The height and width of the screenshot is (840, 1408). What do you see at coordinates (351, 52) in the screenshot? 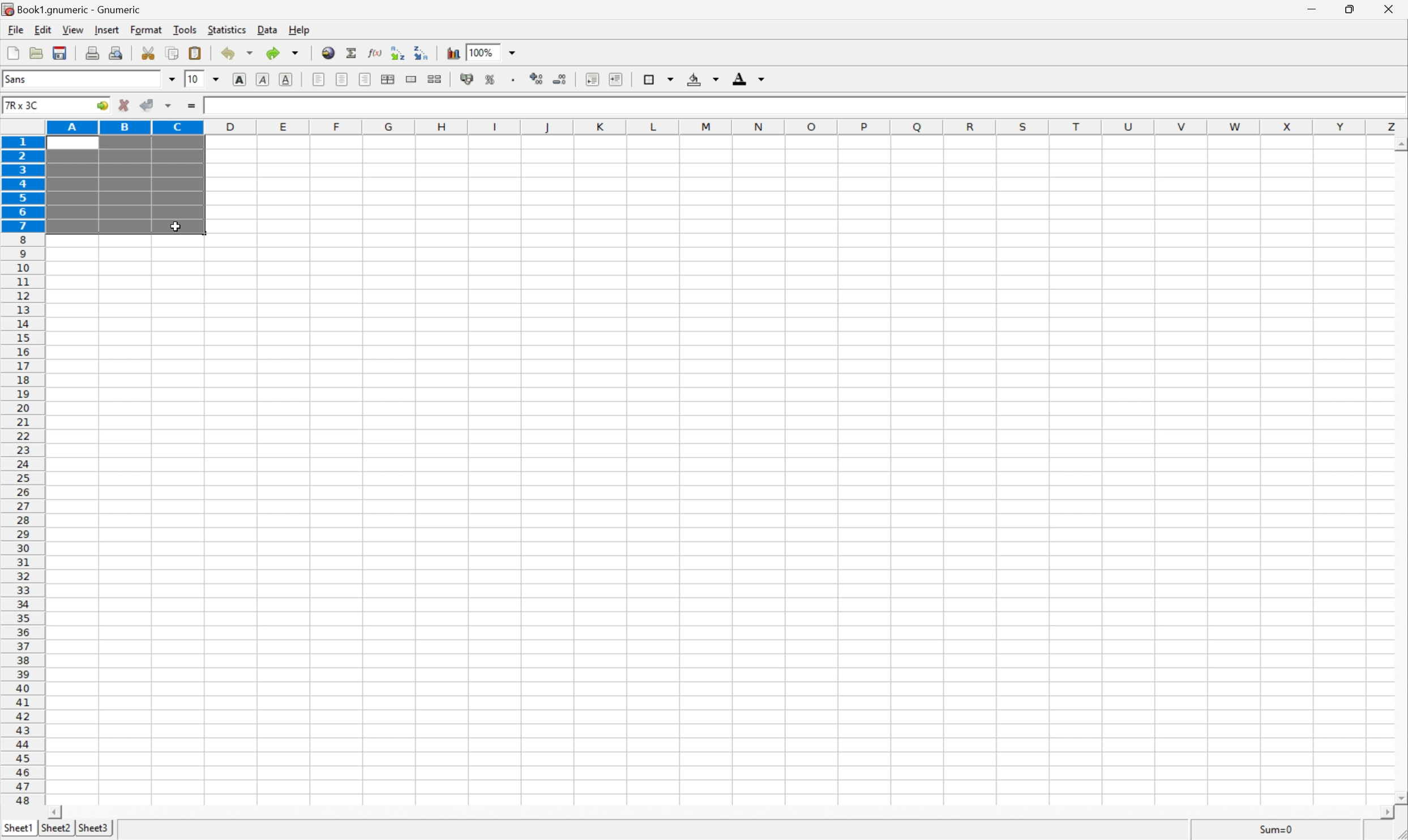
I see `sum in current cell` at bounding box center [351, 52].